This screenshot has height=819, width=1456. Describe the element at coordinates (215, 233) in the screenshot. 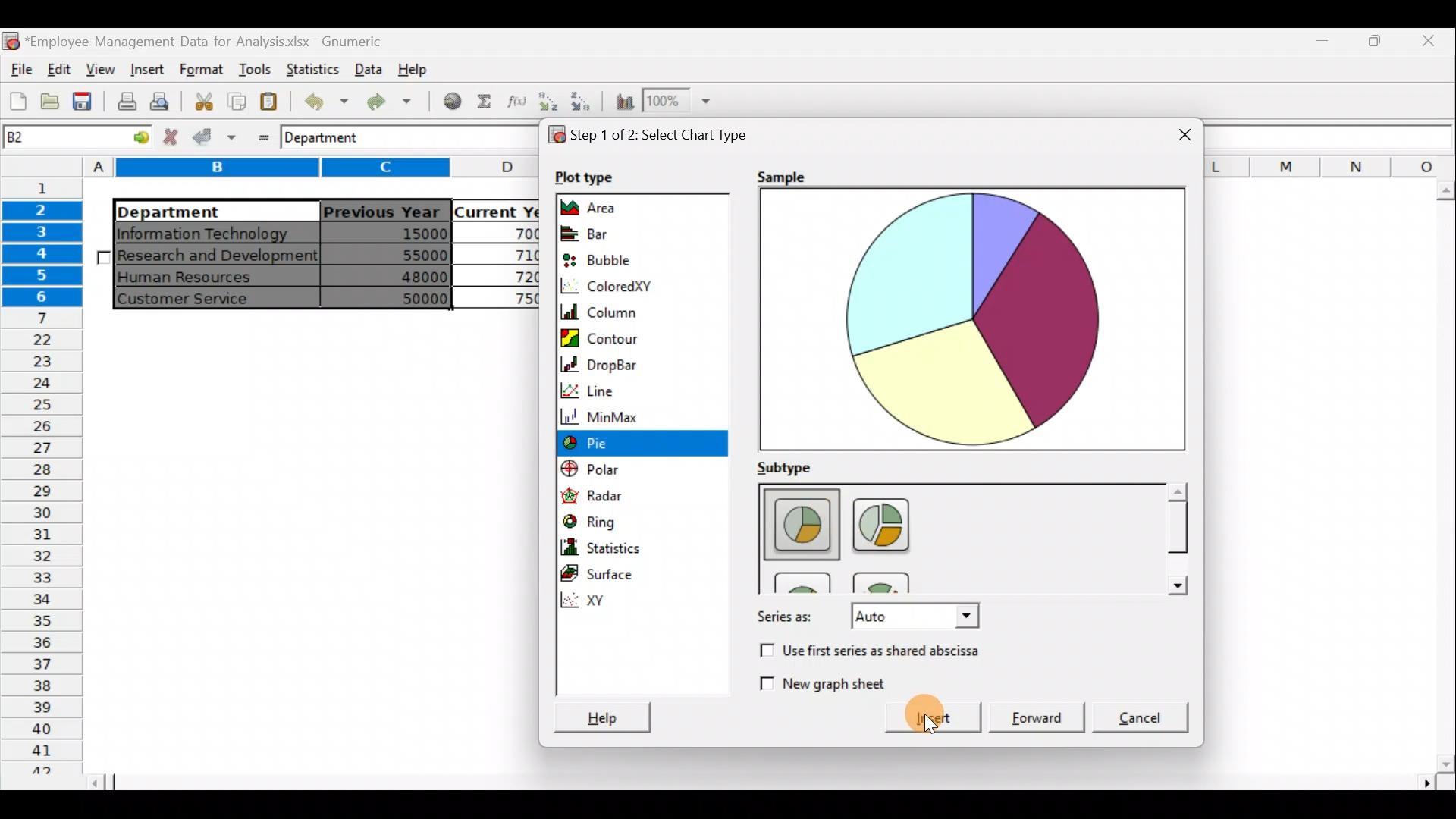

I see `|Information Technology` at that location.